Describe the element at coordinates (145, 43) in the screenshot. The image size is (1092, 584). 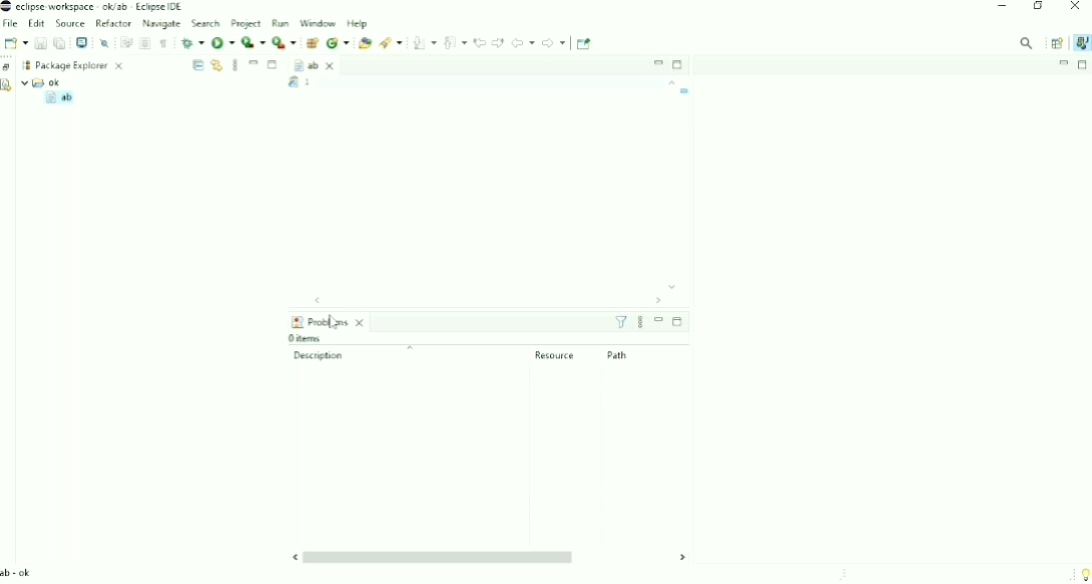
I see `Toggle Block Selection` at that location.